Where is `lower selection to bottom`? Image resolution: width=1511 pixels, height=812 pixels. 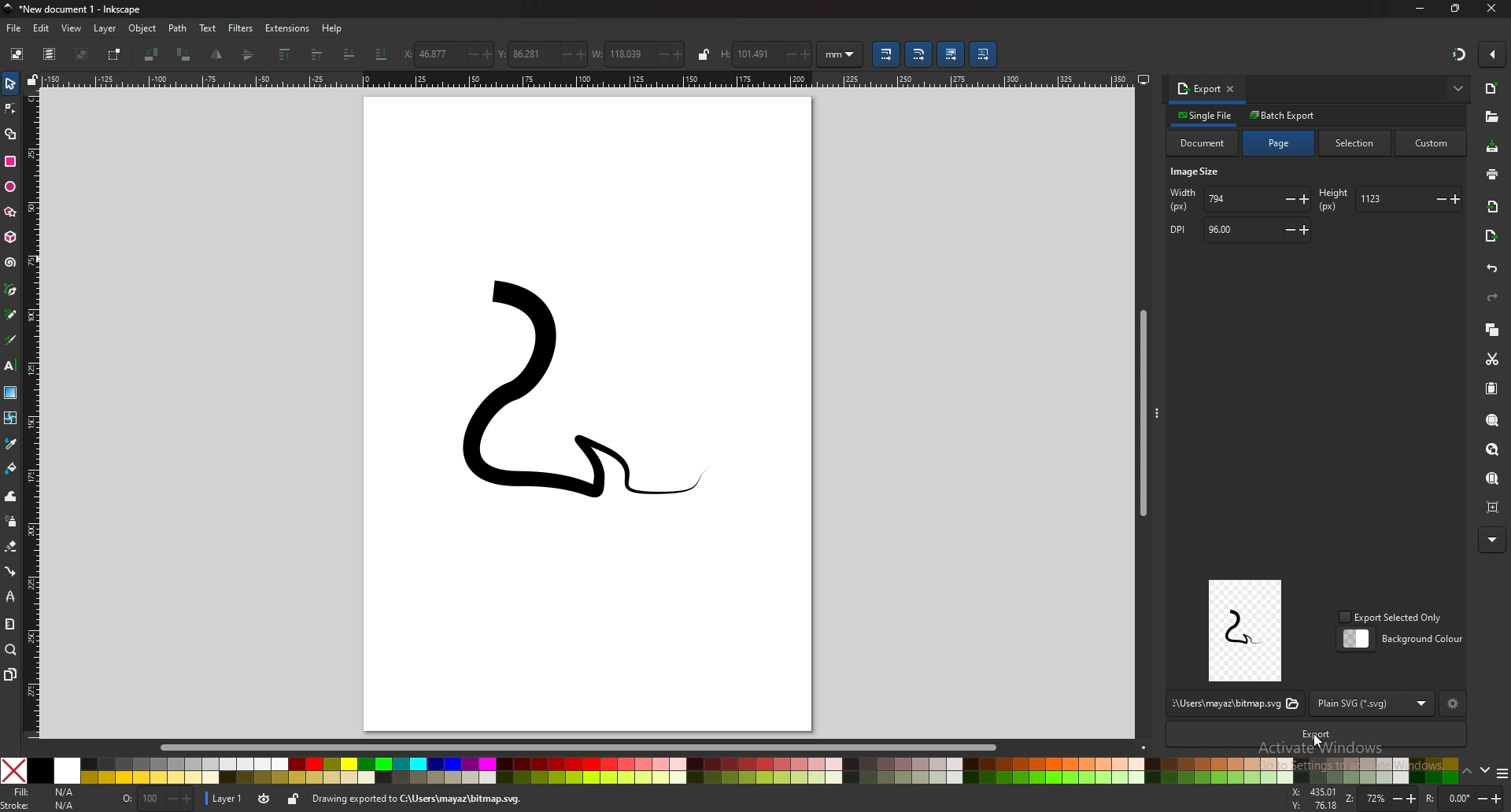
lower selection to bottom is located at coordinates (382, 54).